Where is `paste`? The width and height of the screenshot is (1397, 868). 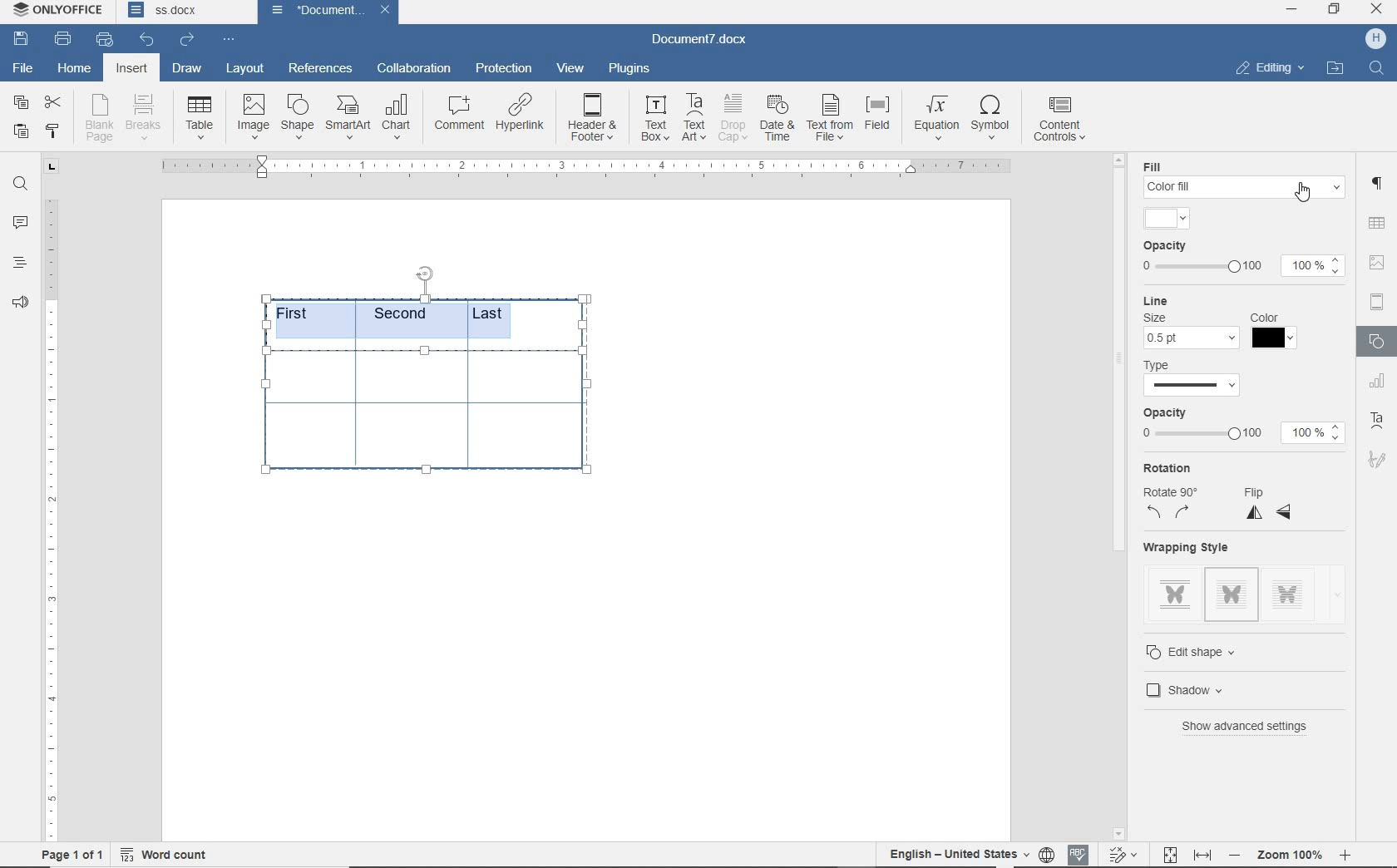
paste is located at coordinates (20, 131).